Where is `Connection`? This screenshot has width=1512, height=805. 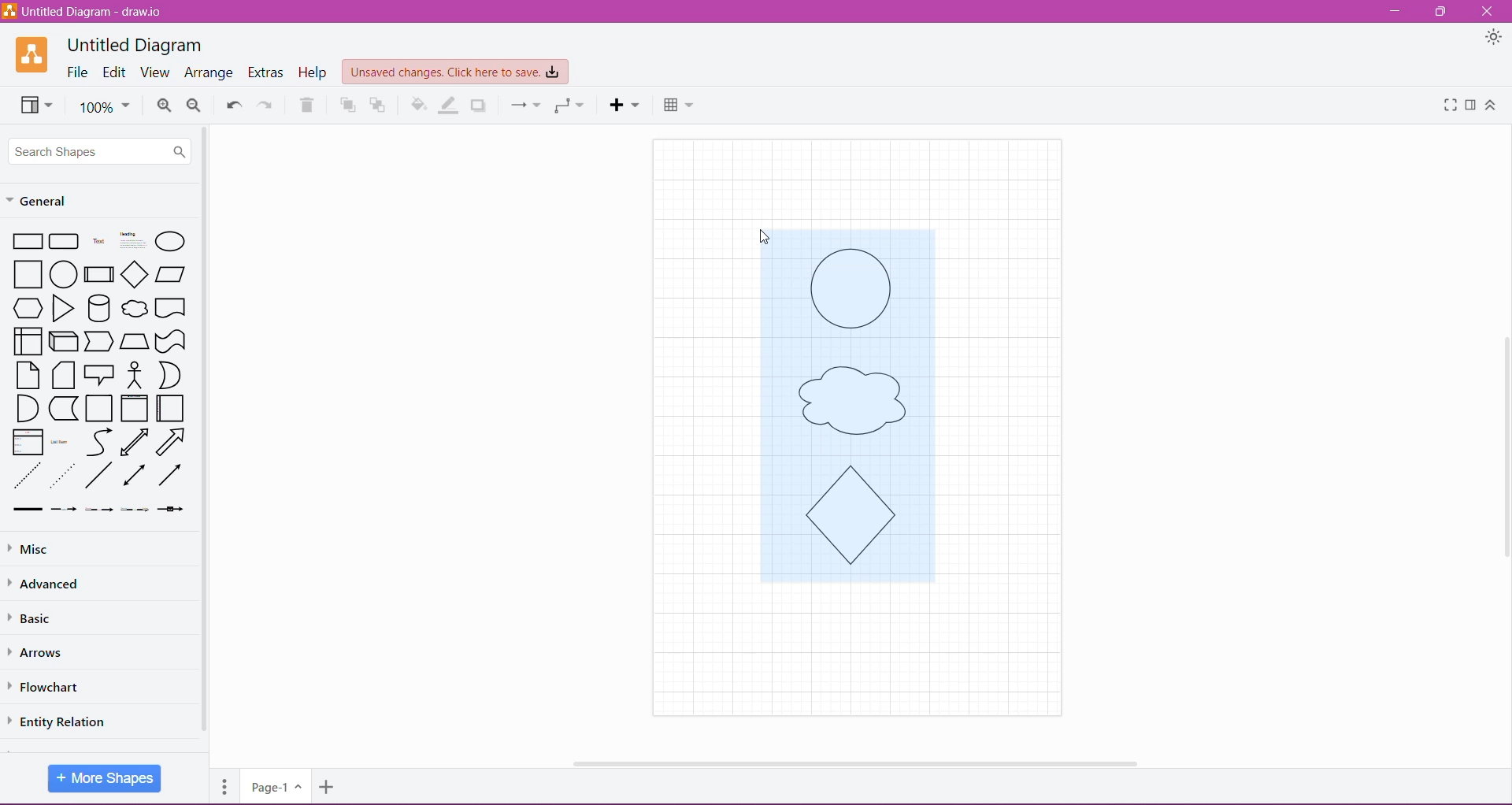
Connection is located at coordinates (521, 104).